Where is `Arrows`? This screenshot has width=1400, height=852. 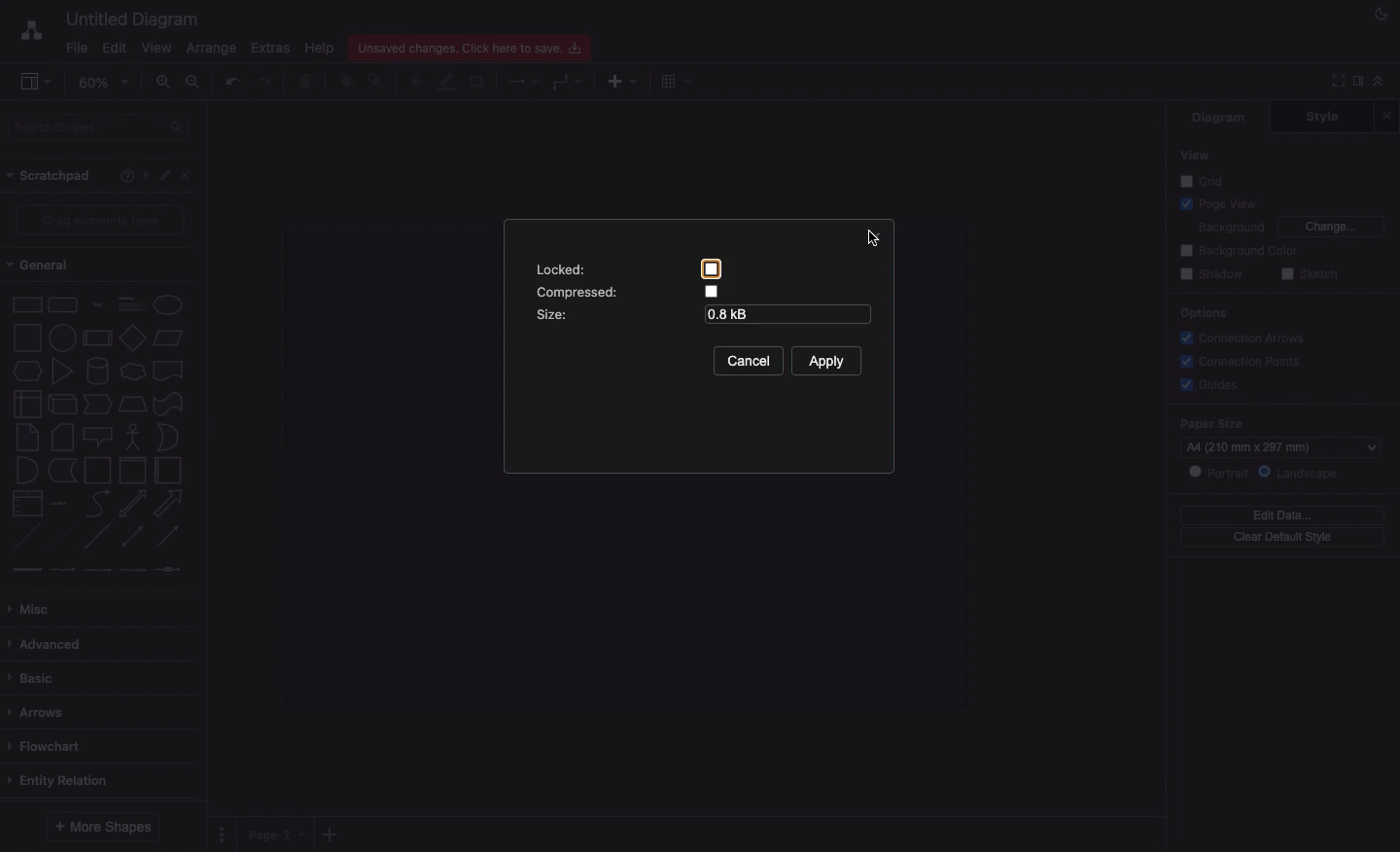
Arrows is located at coordinates (43, 712).